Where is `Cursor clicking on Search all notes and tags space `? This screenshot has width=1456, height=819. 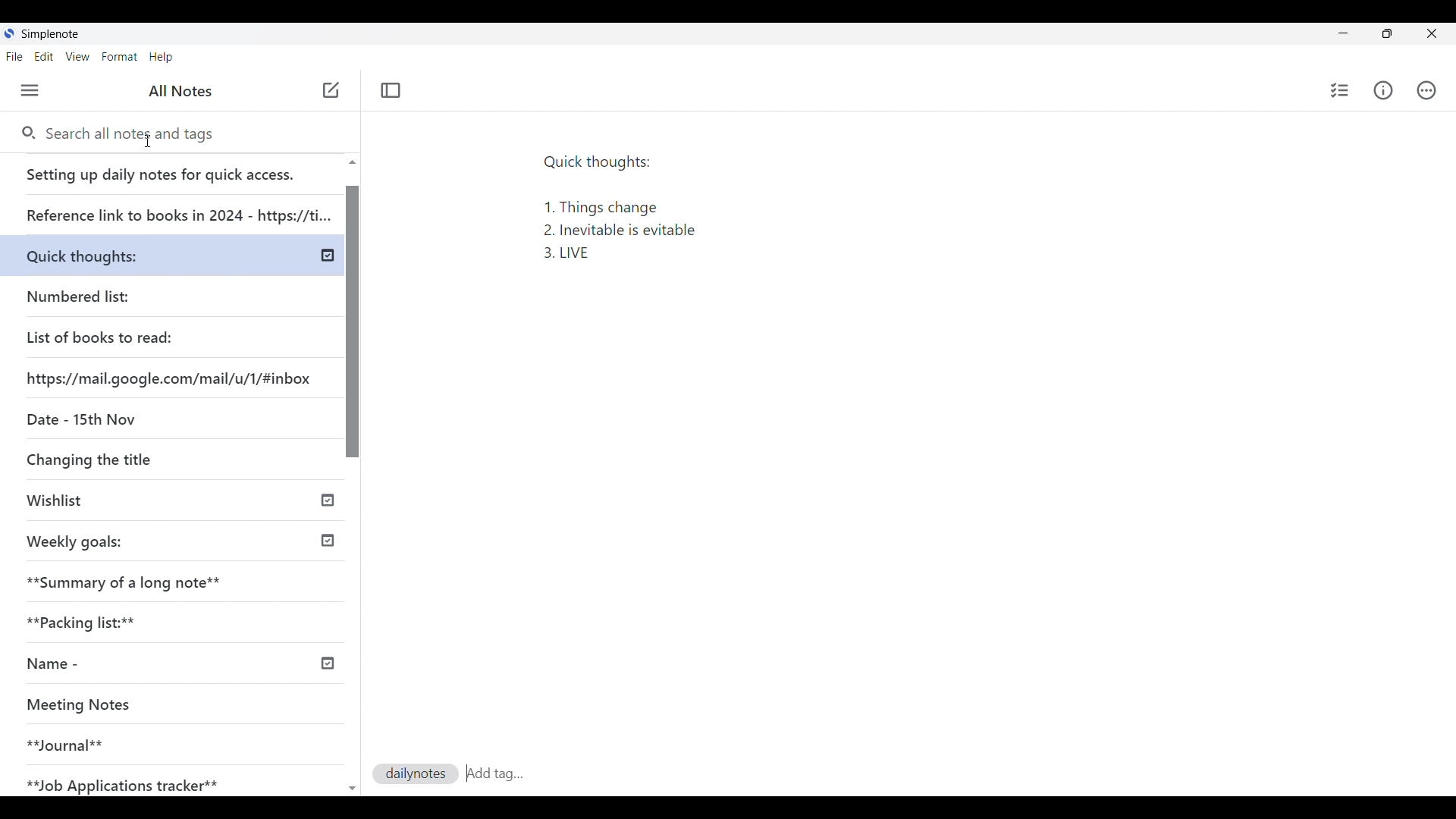
Cursor clicking on Search all notes and tags space  is located at coordinates (149, 142).